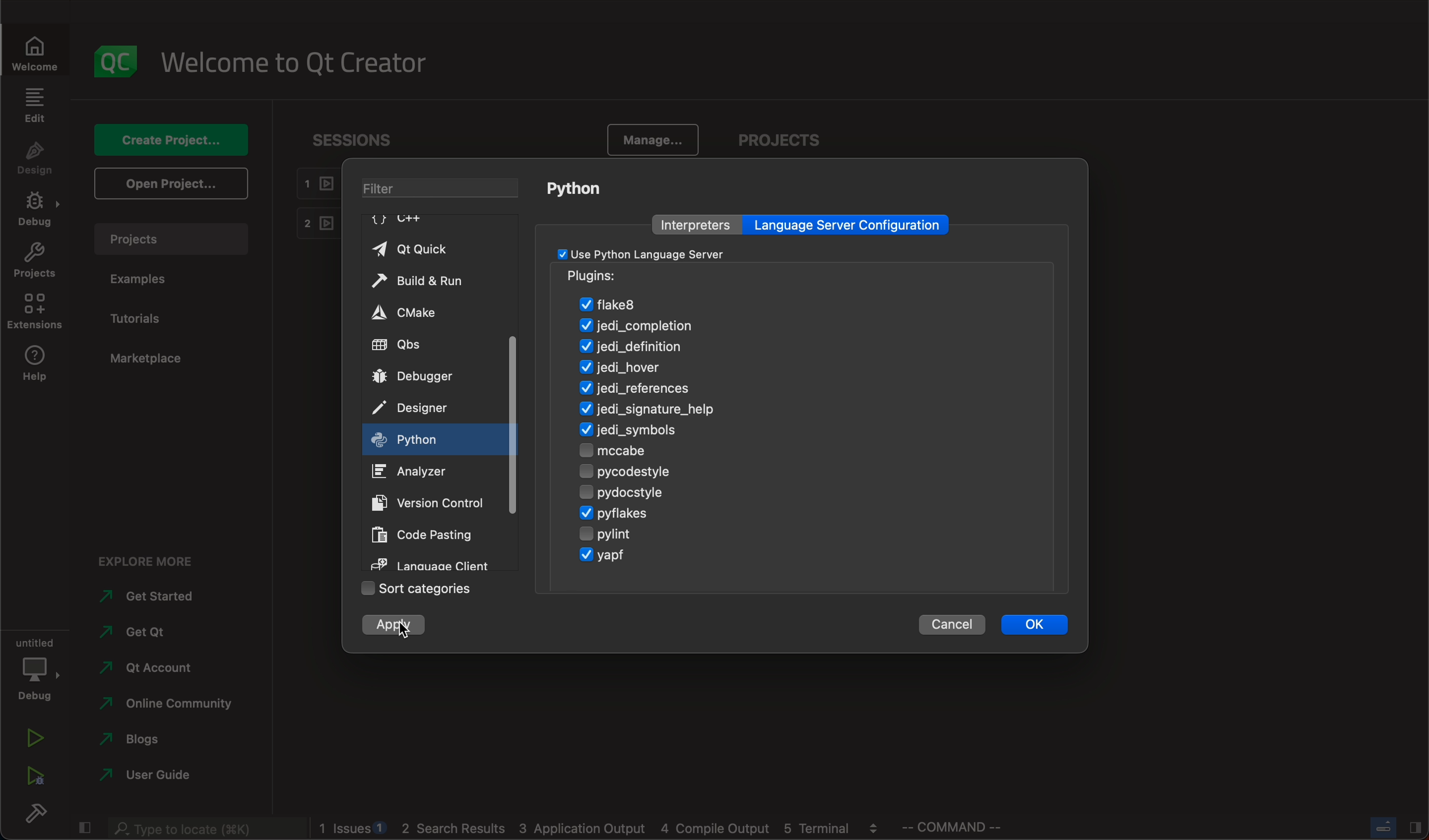  What do you see at coordinates (418, 588) in the screenshot?
I see `sort ` at bounding box center [418, 588].